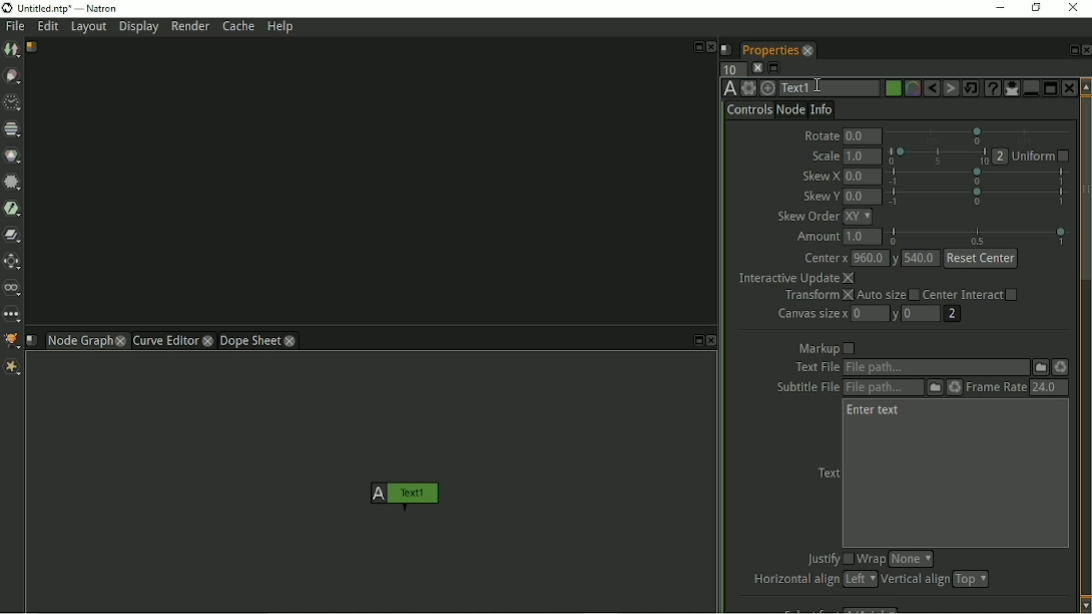 The image size is (1092, 614). I want to click on Cache, so click(238, 26).